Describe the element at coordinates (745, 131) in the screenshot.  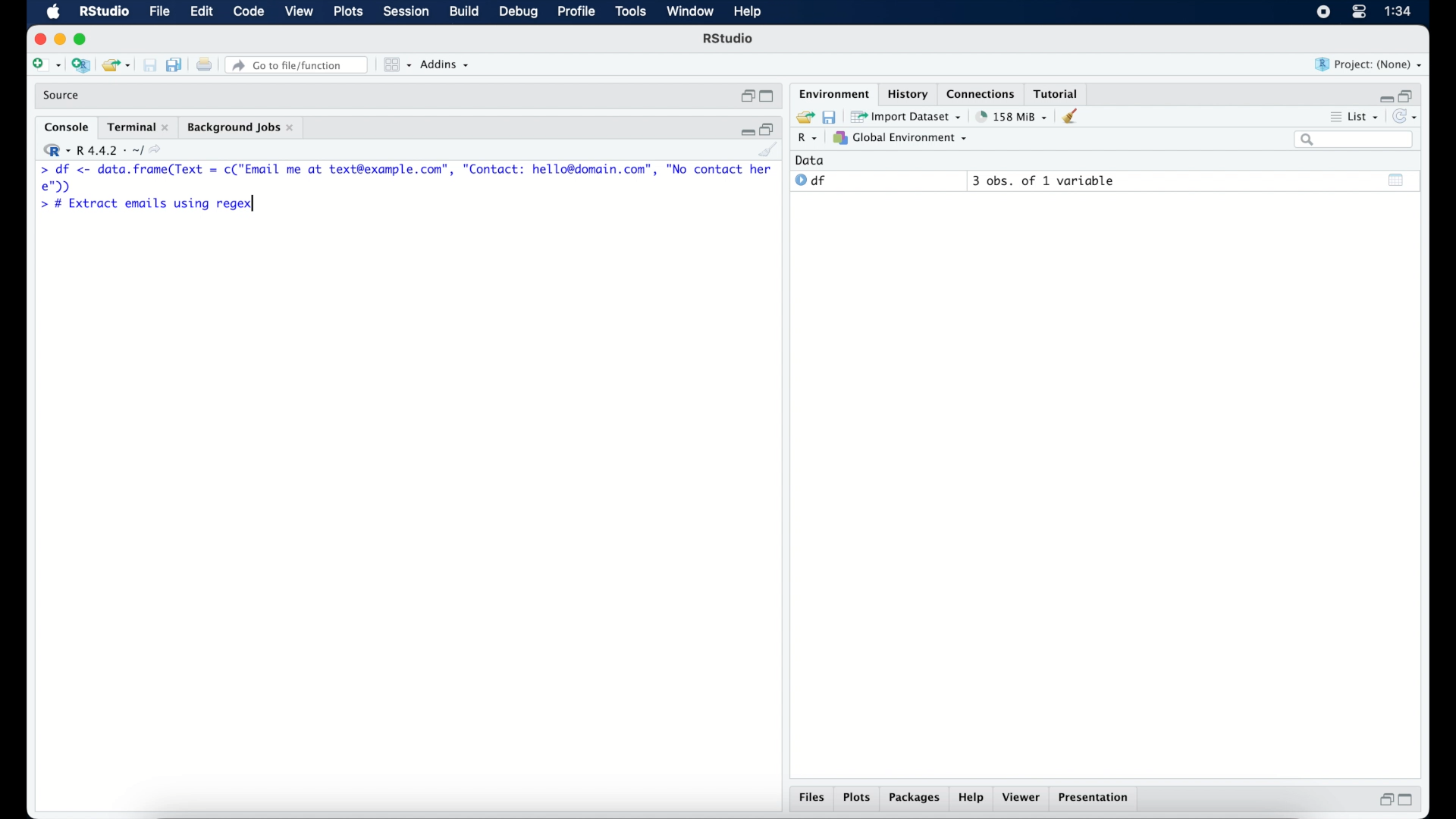
I see `minimize` at that location.